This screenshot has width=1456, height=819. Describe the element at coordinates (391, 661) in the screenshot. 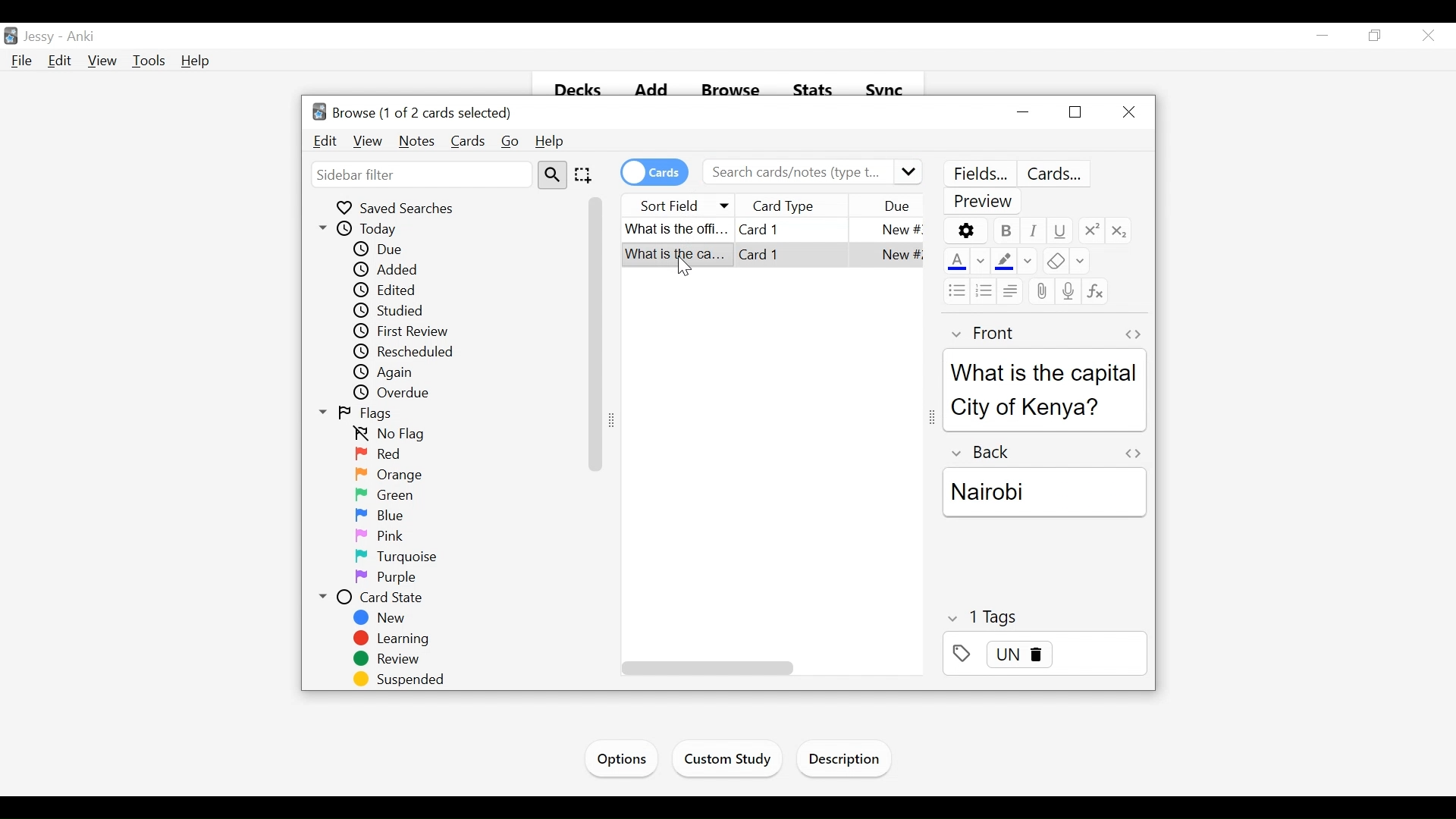

I see `Review` at that location.